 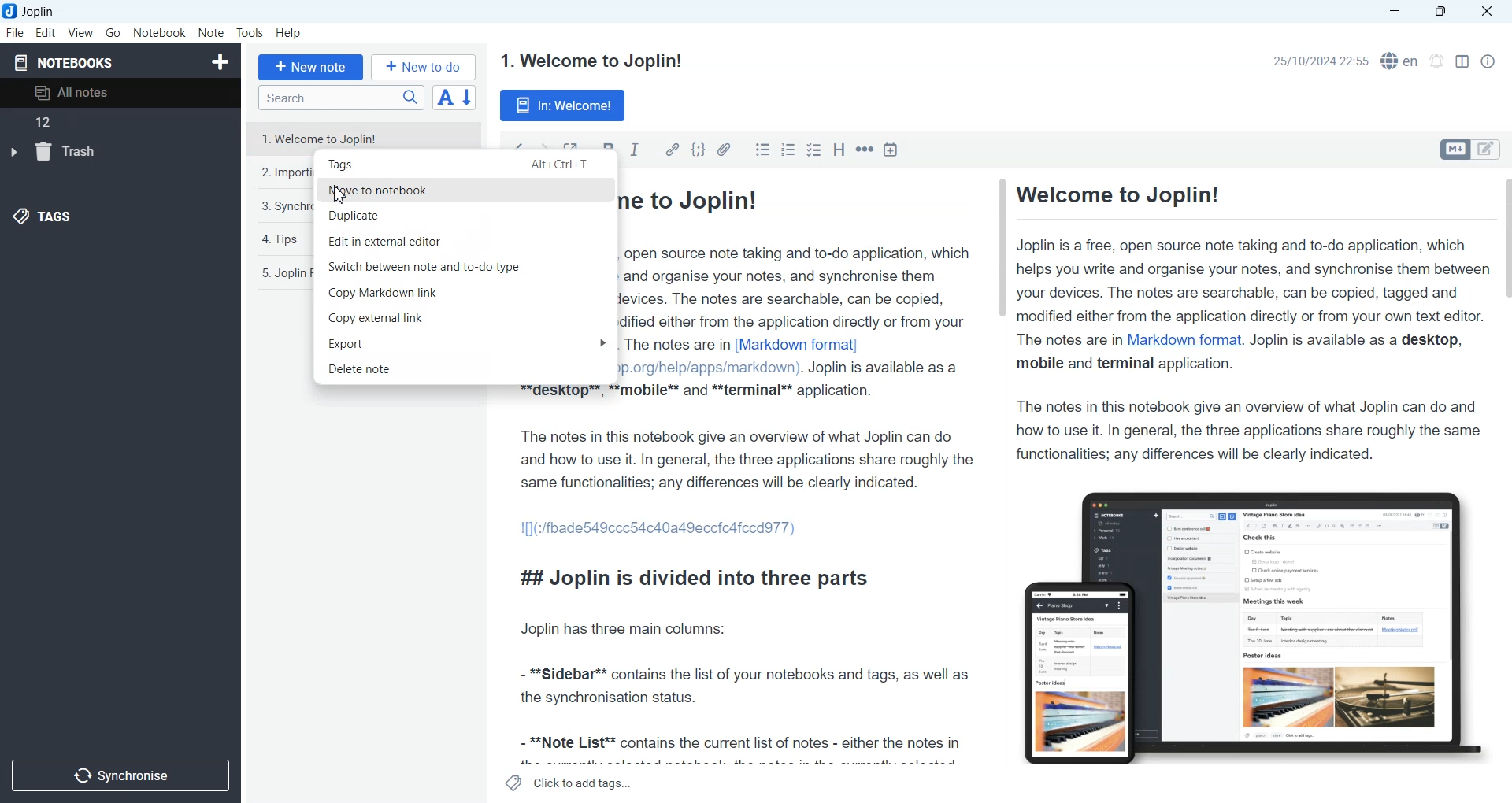 What do you see at coordinates (803, 286) in the screenshot?
I see `e to Joplin!

pen source note taking and to-do application, which
nd organise your notes, and synchronise them
vices. The notes are searchable, can be copied,
fied either from the application directly or from your
he notes are in [Markdown format]
org/help/apps/markdown). Joplin is available as a` at bounding box center [803, 286].